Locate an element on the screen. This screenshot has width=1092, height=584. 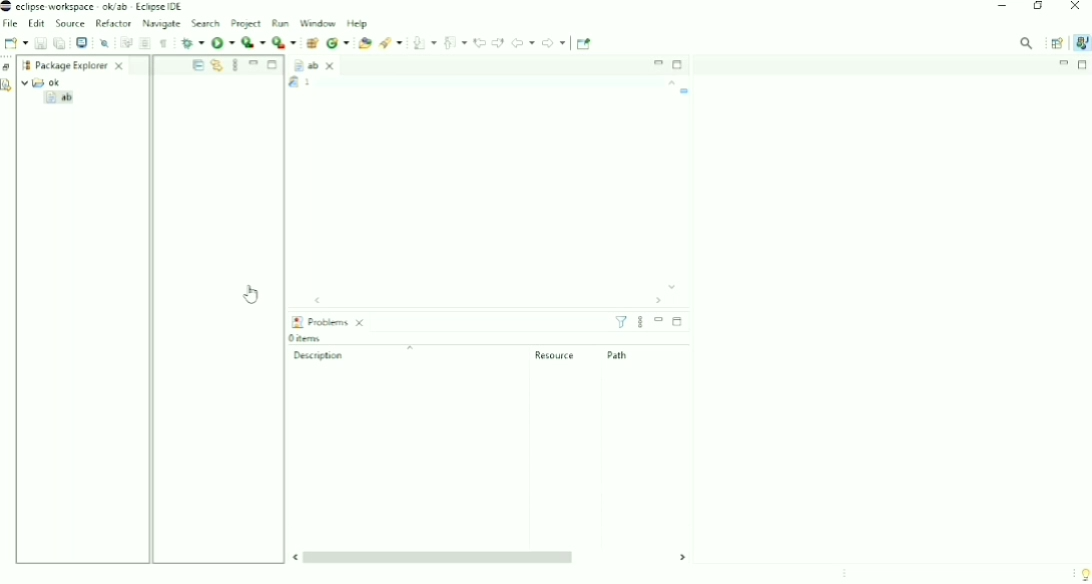
Workspace is located at coordinates (26, 64).